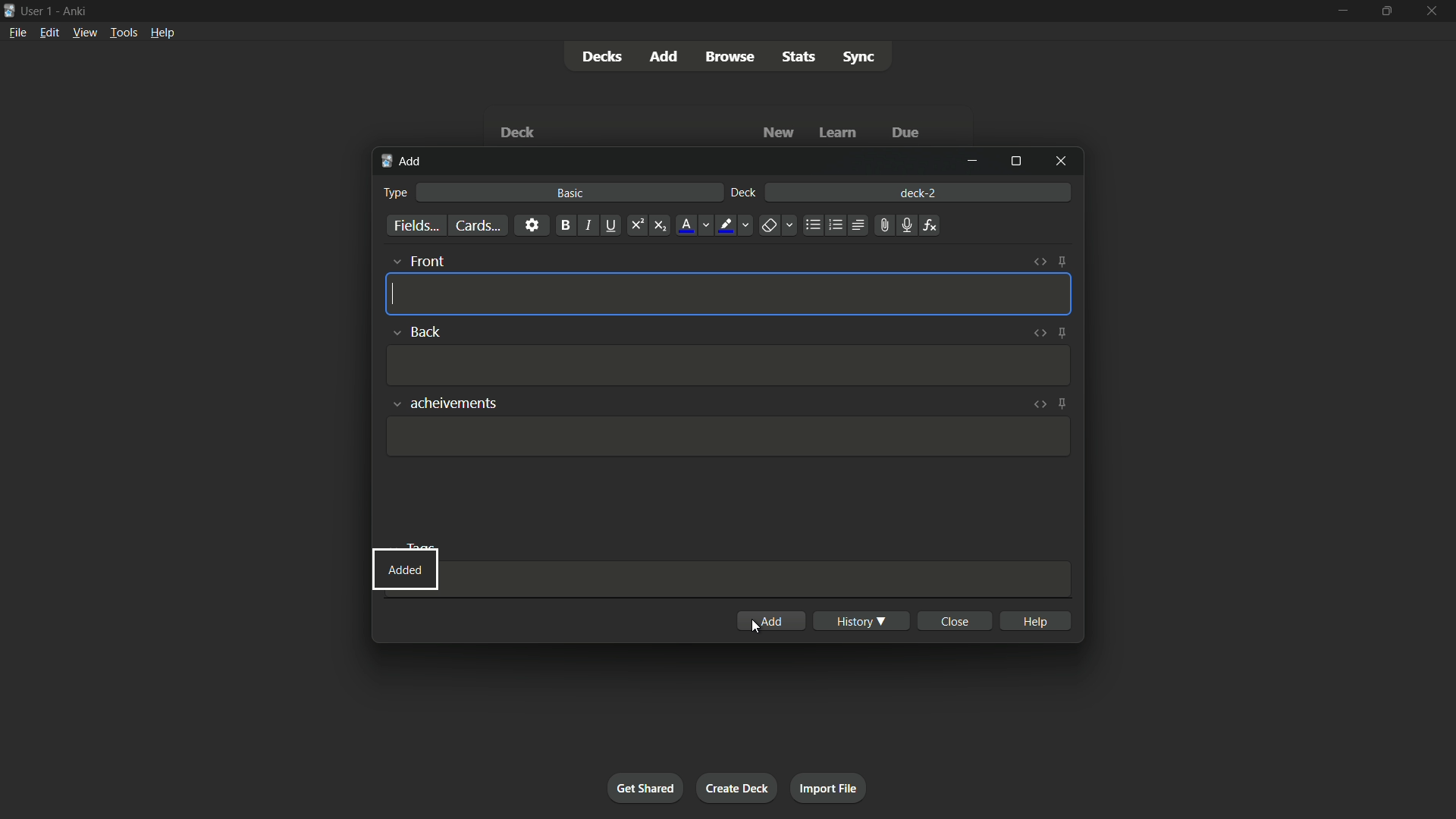 The image size is (1456, 819). What do you see at coordinates (906, 225) in the screenshot?
I see `record audio` at bounding box center [906, 225].